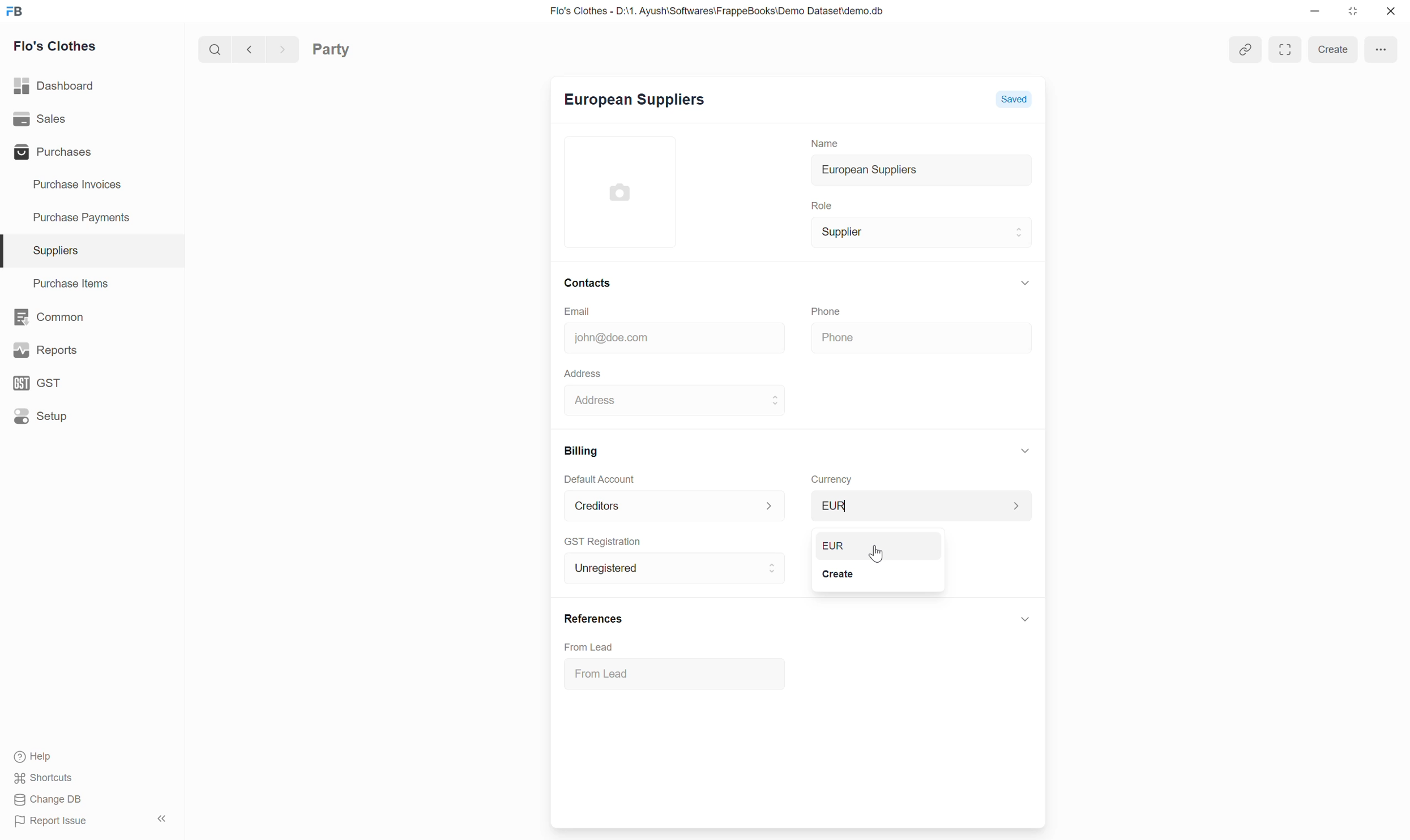 The image size is (1410, 840). What do you see at coordinates (39, 118) in the screenshot?
I see `sales` at bounding box center [39, 118].